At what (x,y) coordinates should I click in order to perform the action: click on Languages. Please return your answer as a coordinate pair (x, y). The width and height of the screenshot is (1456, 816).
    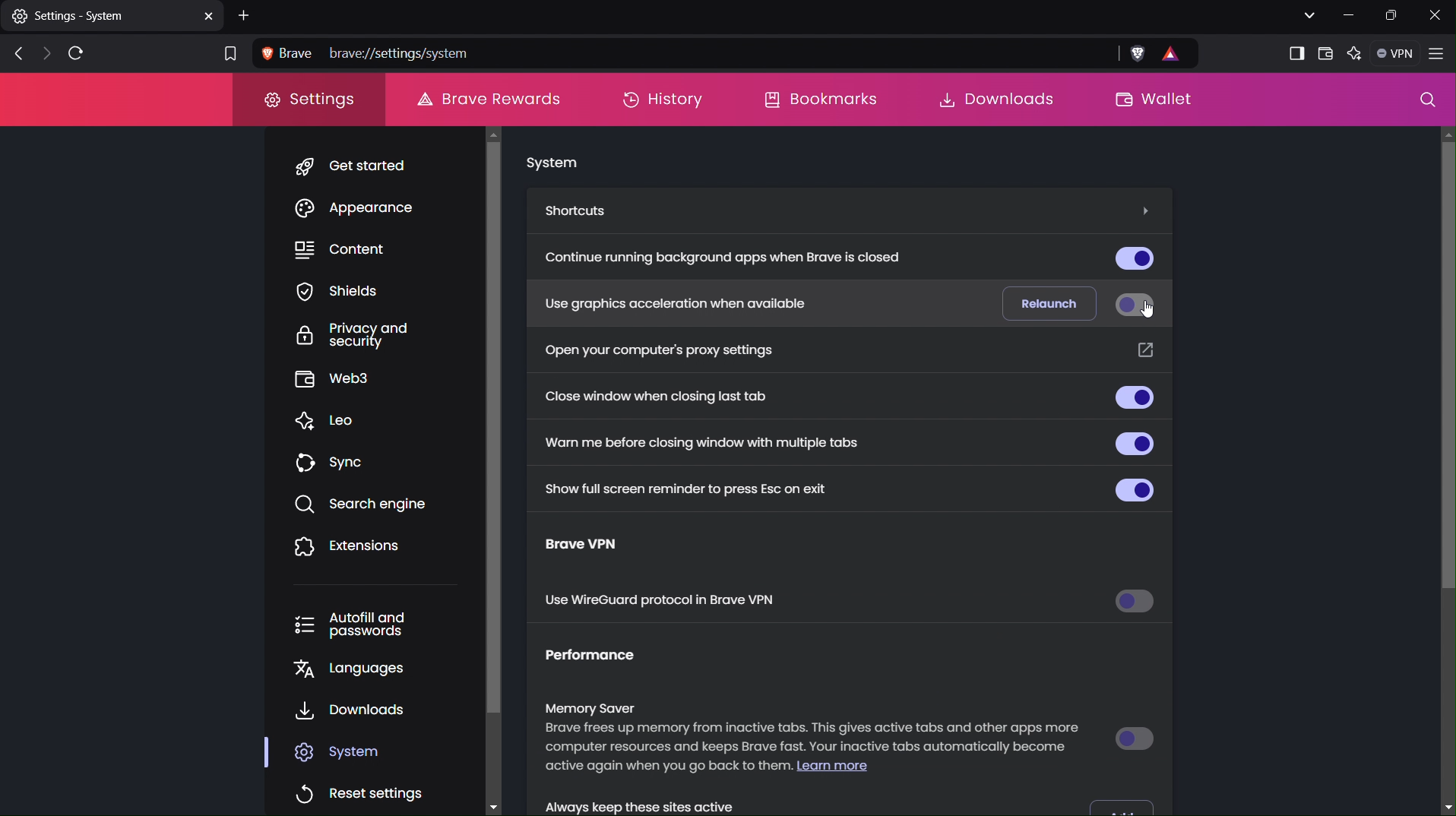
    Looking at the image, I should click on (358, 672).